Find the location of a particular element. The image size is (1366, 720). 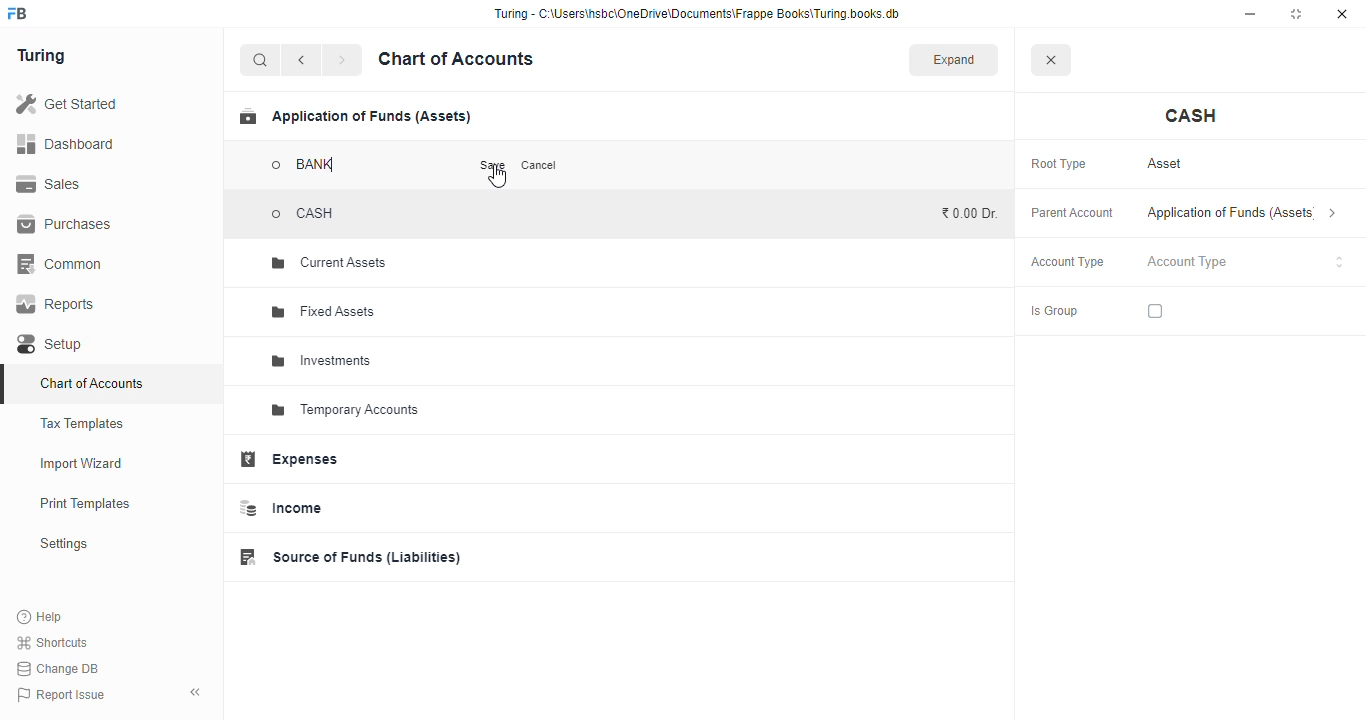

reports is located at coordinates (56, 304).